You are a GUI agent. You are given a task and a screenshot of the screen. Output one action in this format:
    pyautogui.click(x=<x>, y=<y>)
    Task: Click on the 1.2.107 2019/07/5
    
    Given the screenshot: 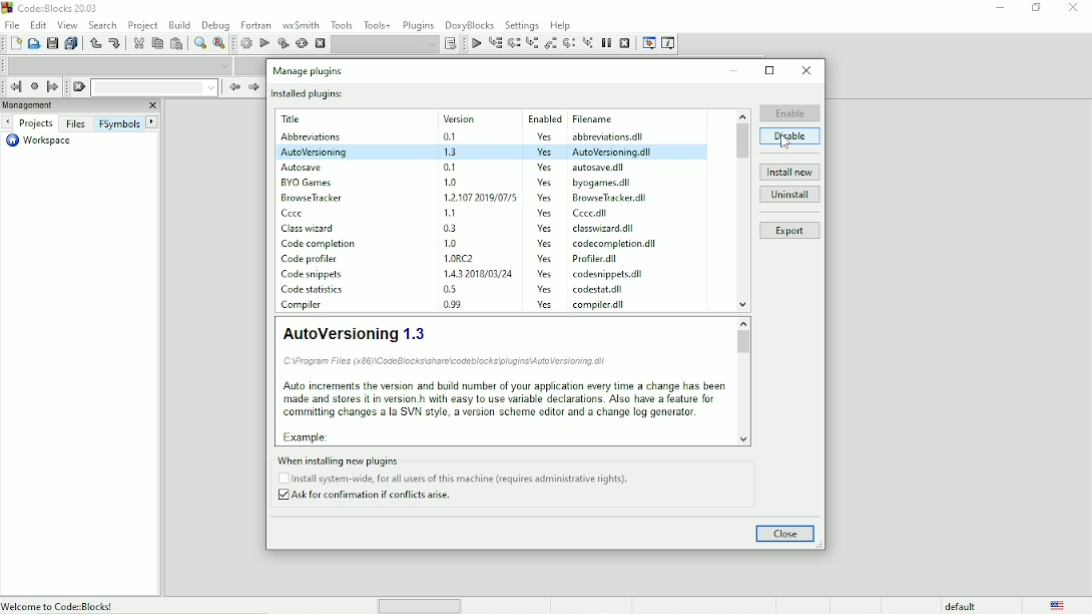 What is the action you would take?
    pyautogui.click(x=482, y=196)
    